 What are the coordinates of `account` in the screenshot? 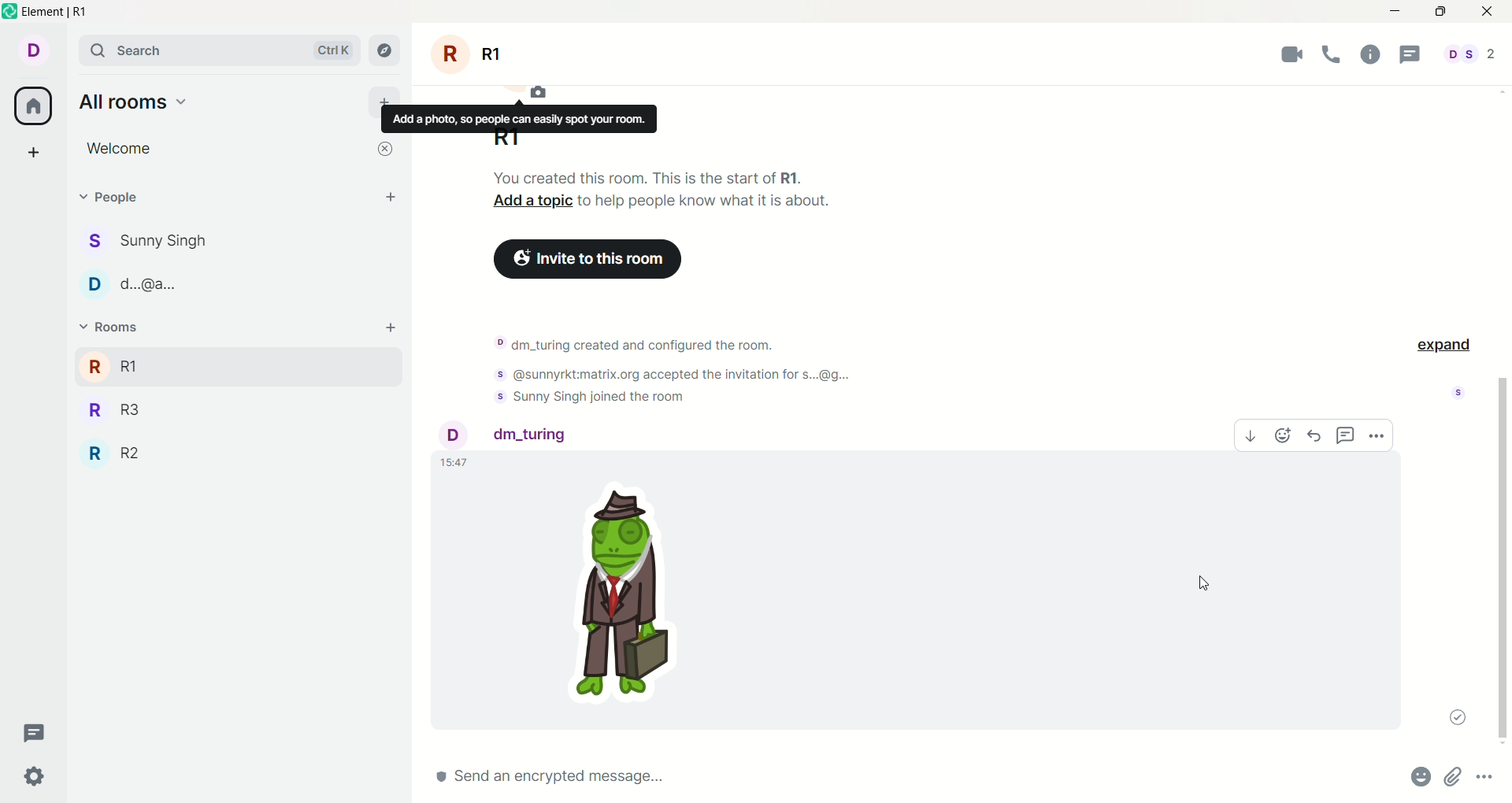 It's located at (33, 50).